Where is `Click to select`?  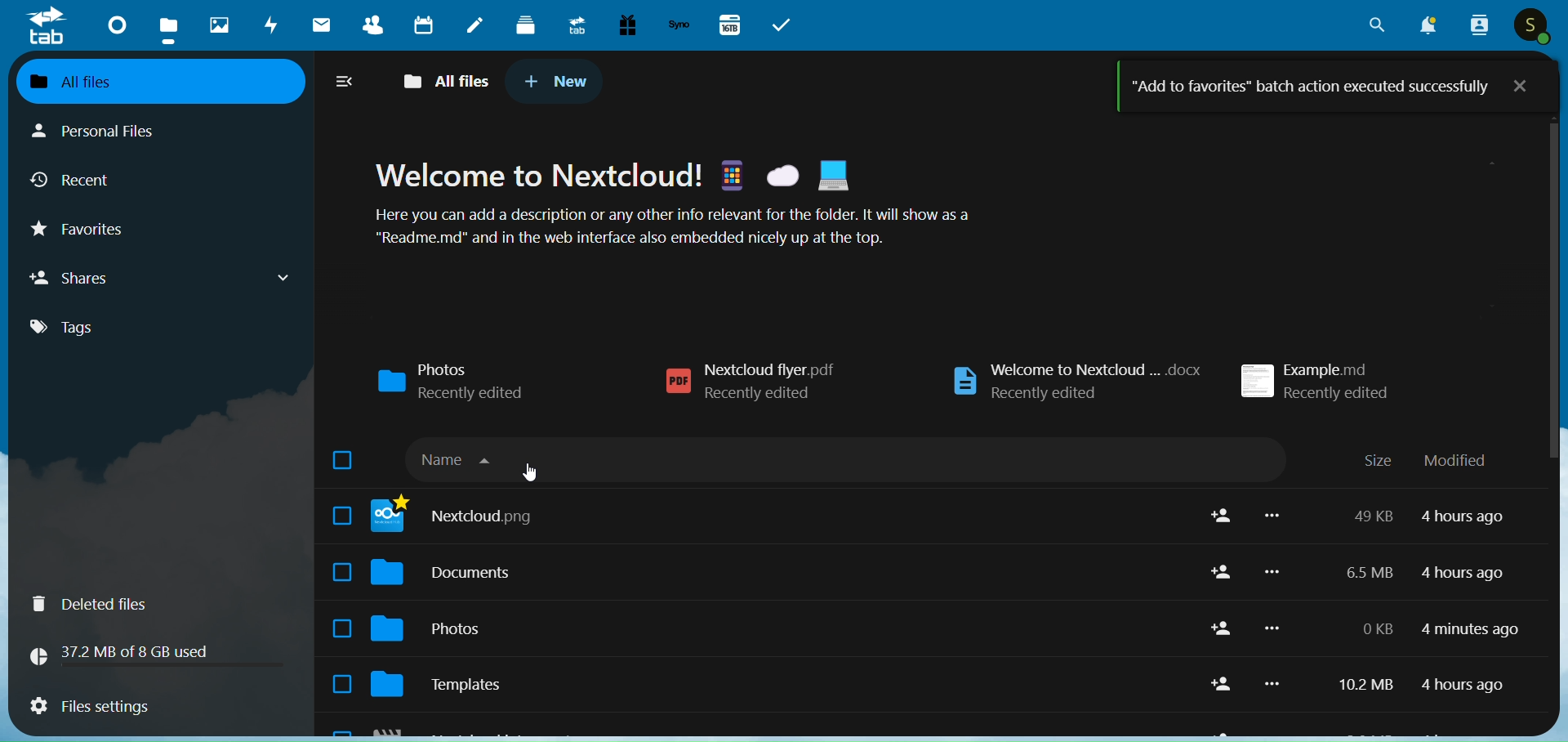
Click to select is located at coordinates (341, 572).